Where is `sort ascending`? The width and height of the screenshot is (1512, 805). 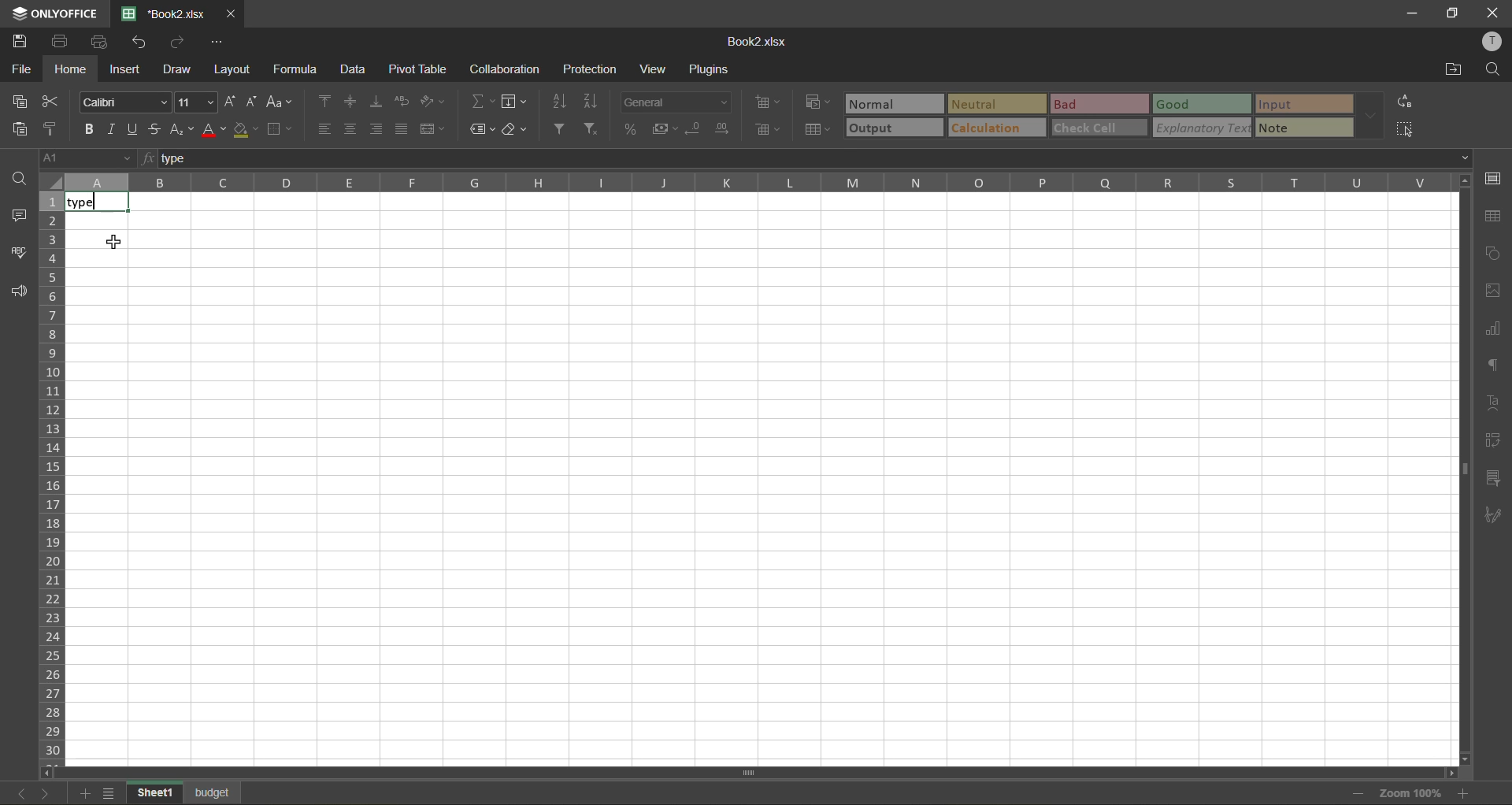
sort ascending is located at coordinates (562, 100).